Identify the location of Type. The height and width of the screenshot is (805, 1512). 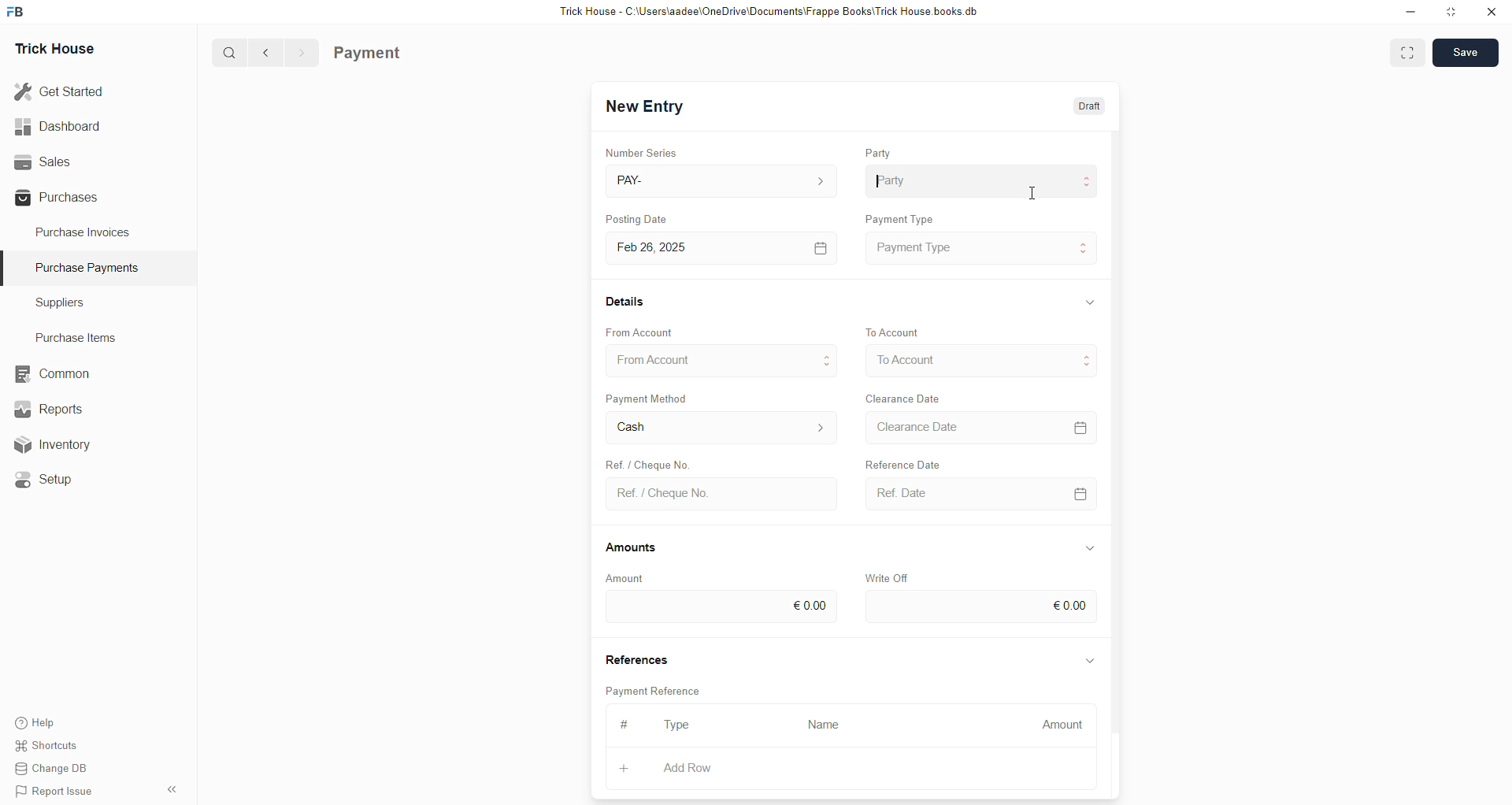
(680, 725).